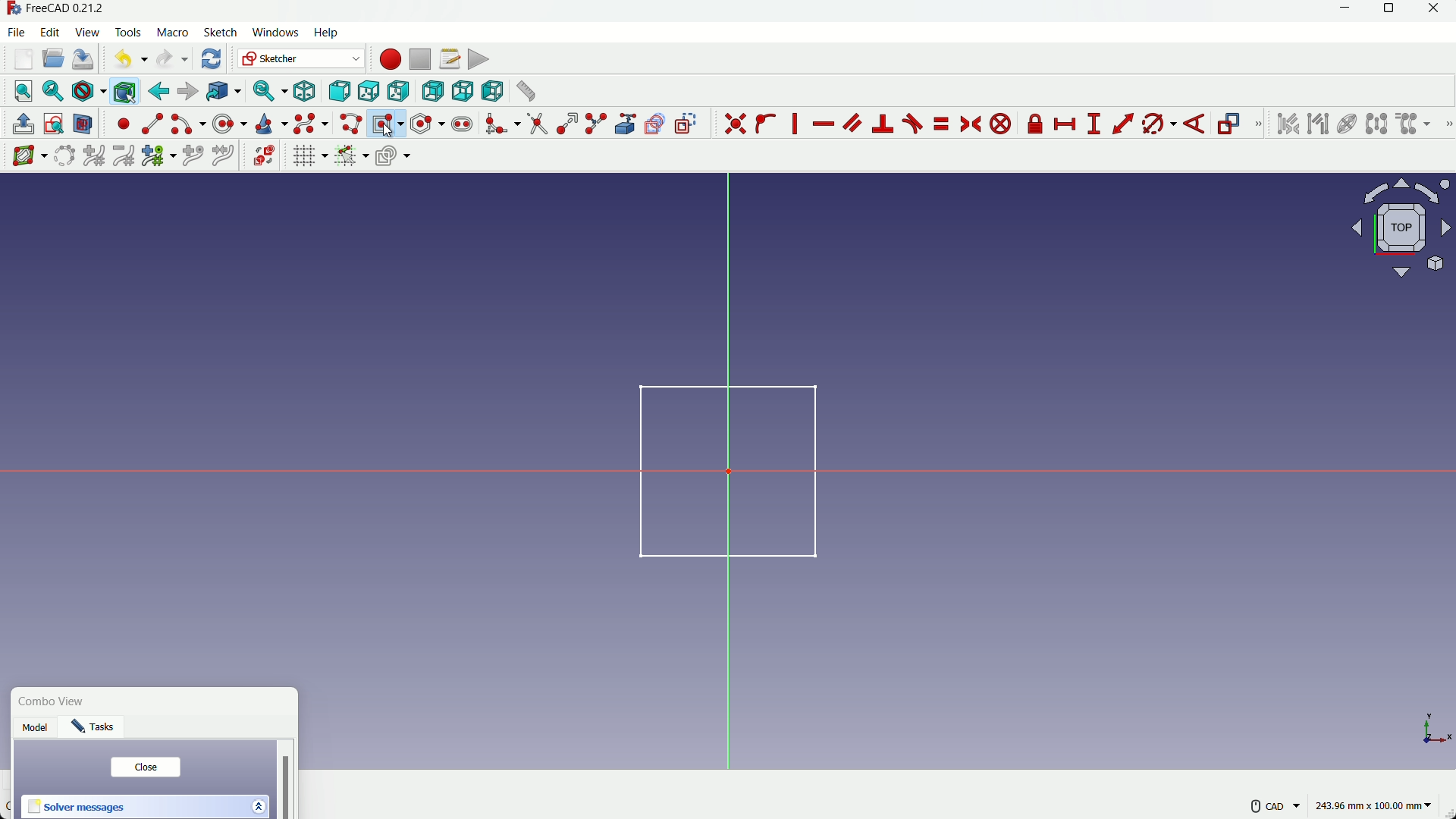 The height and width of the screenshot is (819, 1456). I want to click on isometric view, so click(305, 92).